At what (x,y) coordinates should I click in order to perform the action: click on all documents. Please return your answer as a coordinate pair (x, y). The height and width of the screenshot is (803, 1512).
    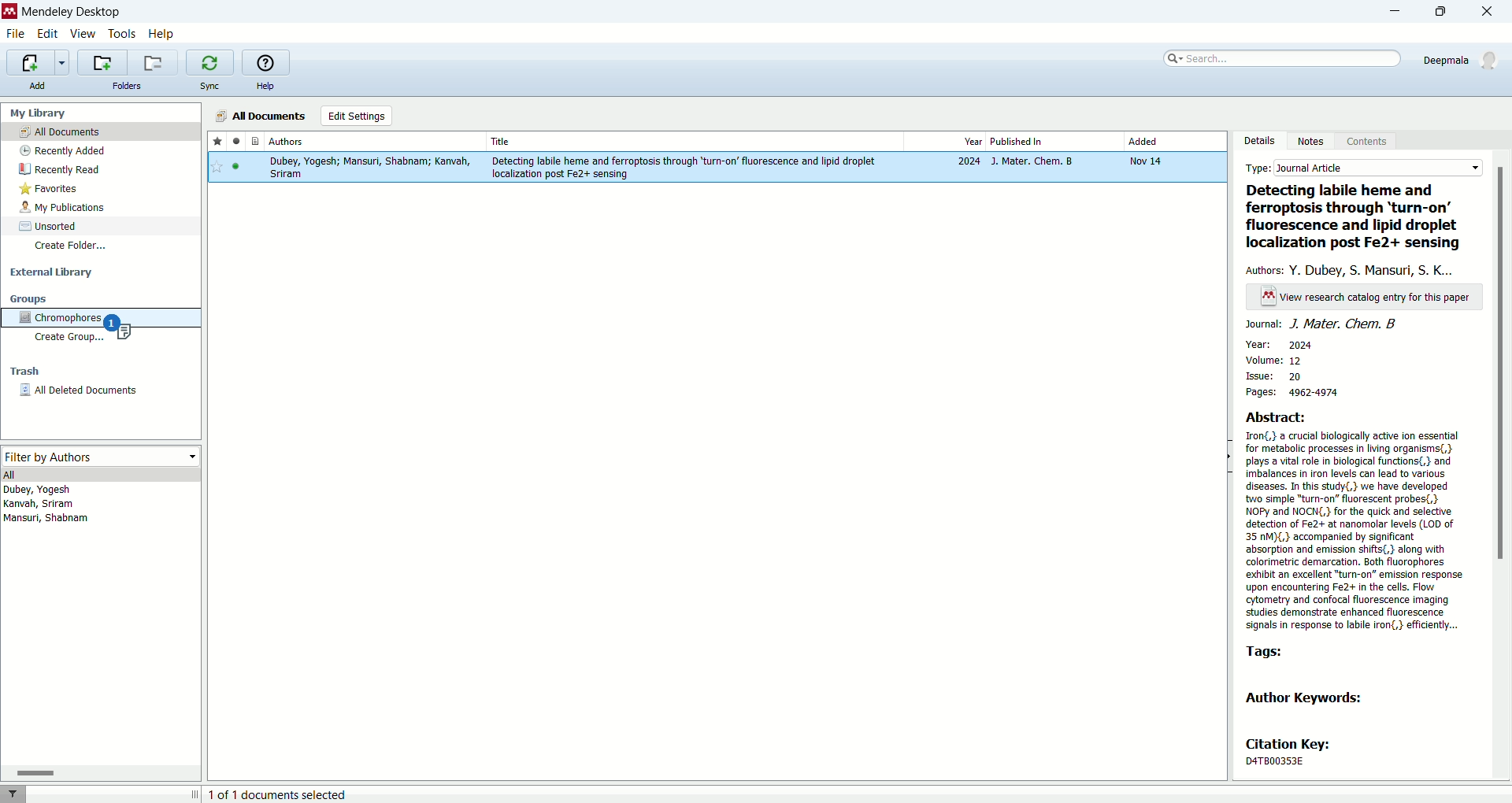
    Looking at the image, I should click on (101, 132).